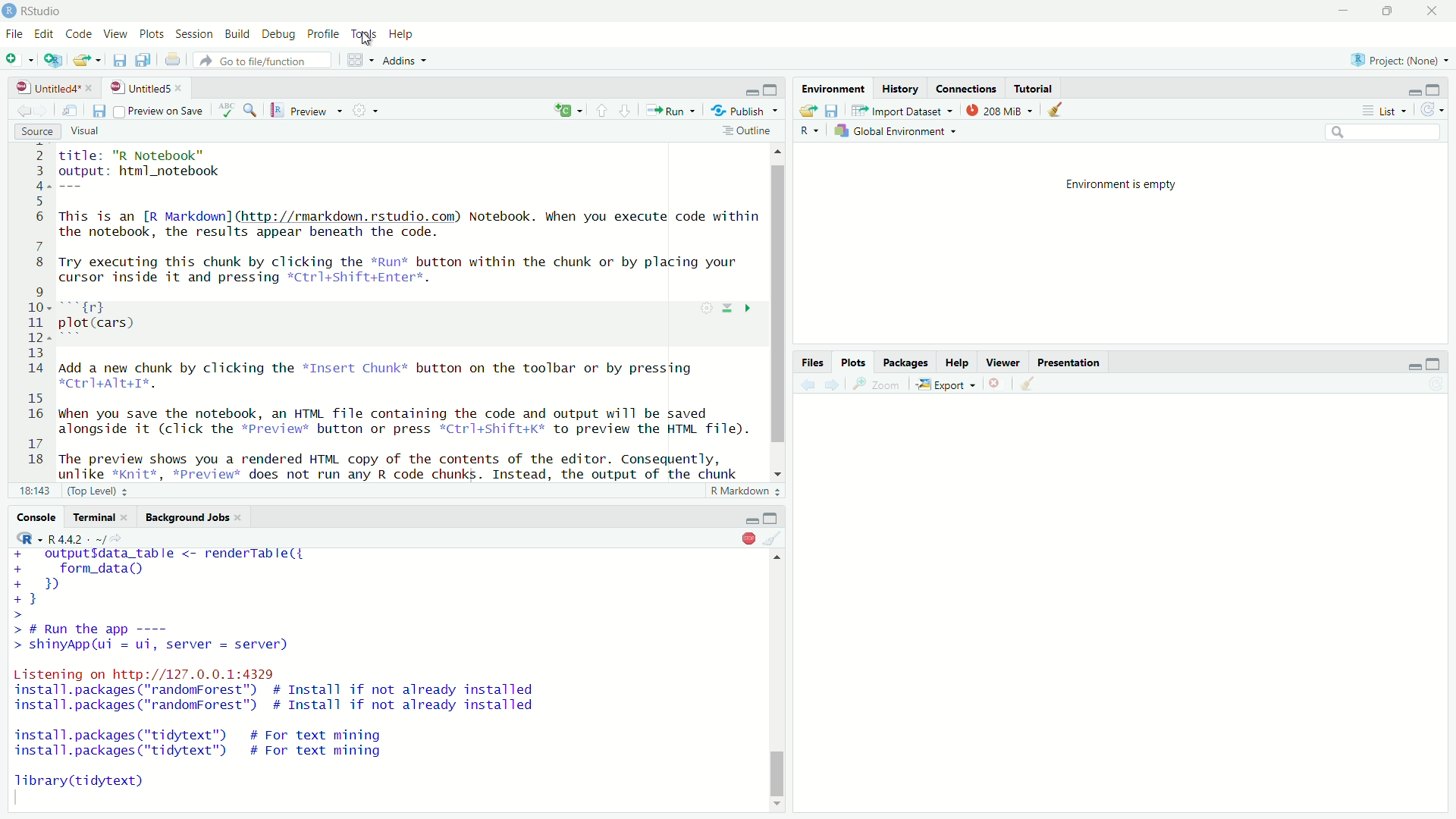 The image size is (1456, 819). What do you see at coordinates (34, 490) in the screenshot?
I see `18:143` at bounding box center [34, 490].